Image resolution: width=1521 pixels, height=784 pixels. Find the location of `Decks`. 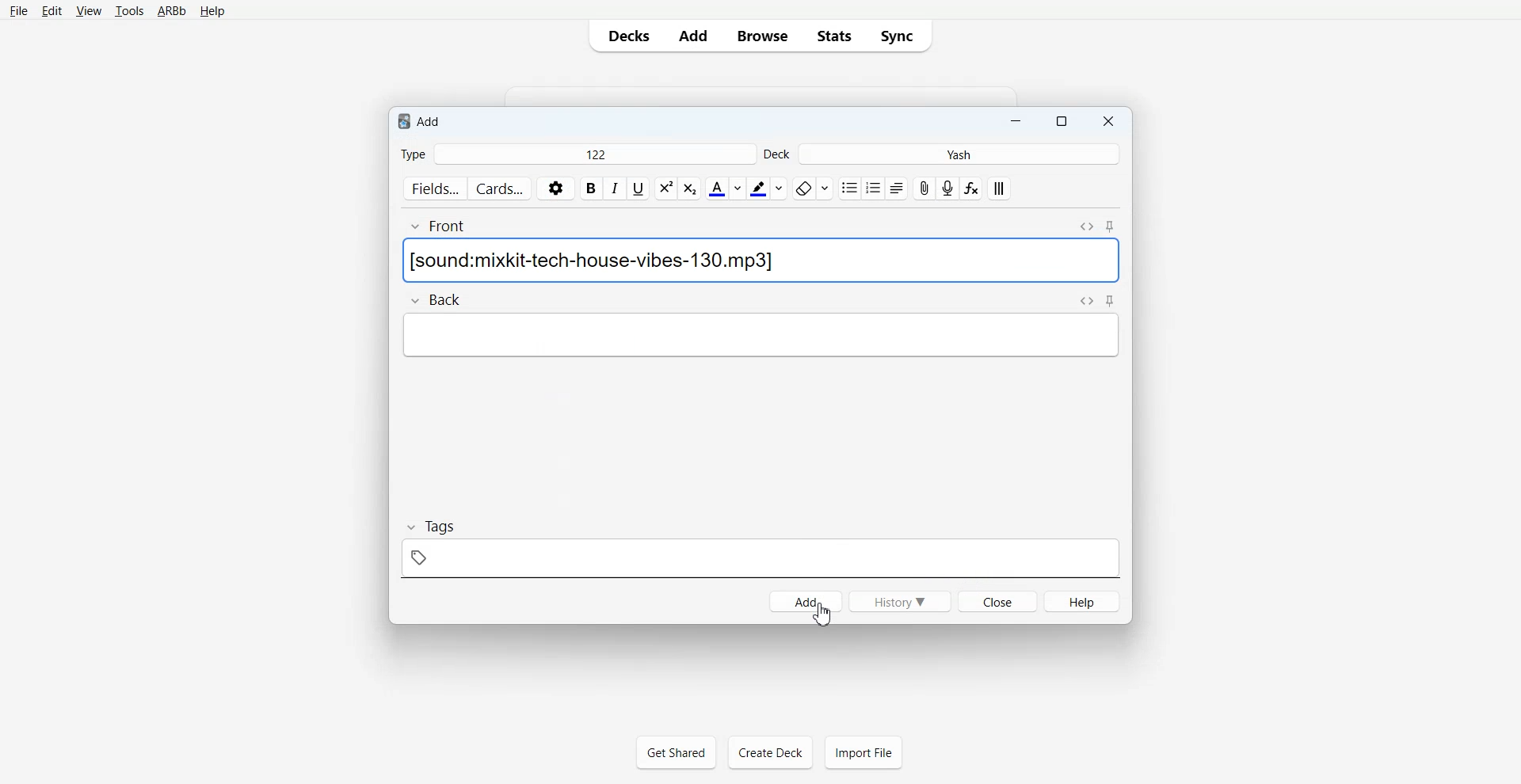

Decks is located at coordinates (626, 35).